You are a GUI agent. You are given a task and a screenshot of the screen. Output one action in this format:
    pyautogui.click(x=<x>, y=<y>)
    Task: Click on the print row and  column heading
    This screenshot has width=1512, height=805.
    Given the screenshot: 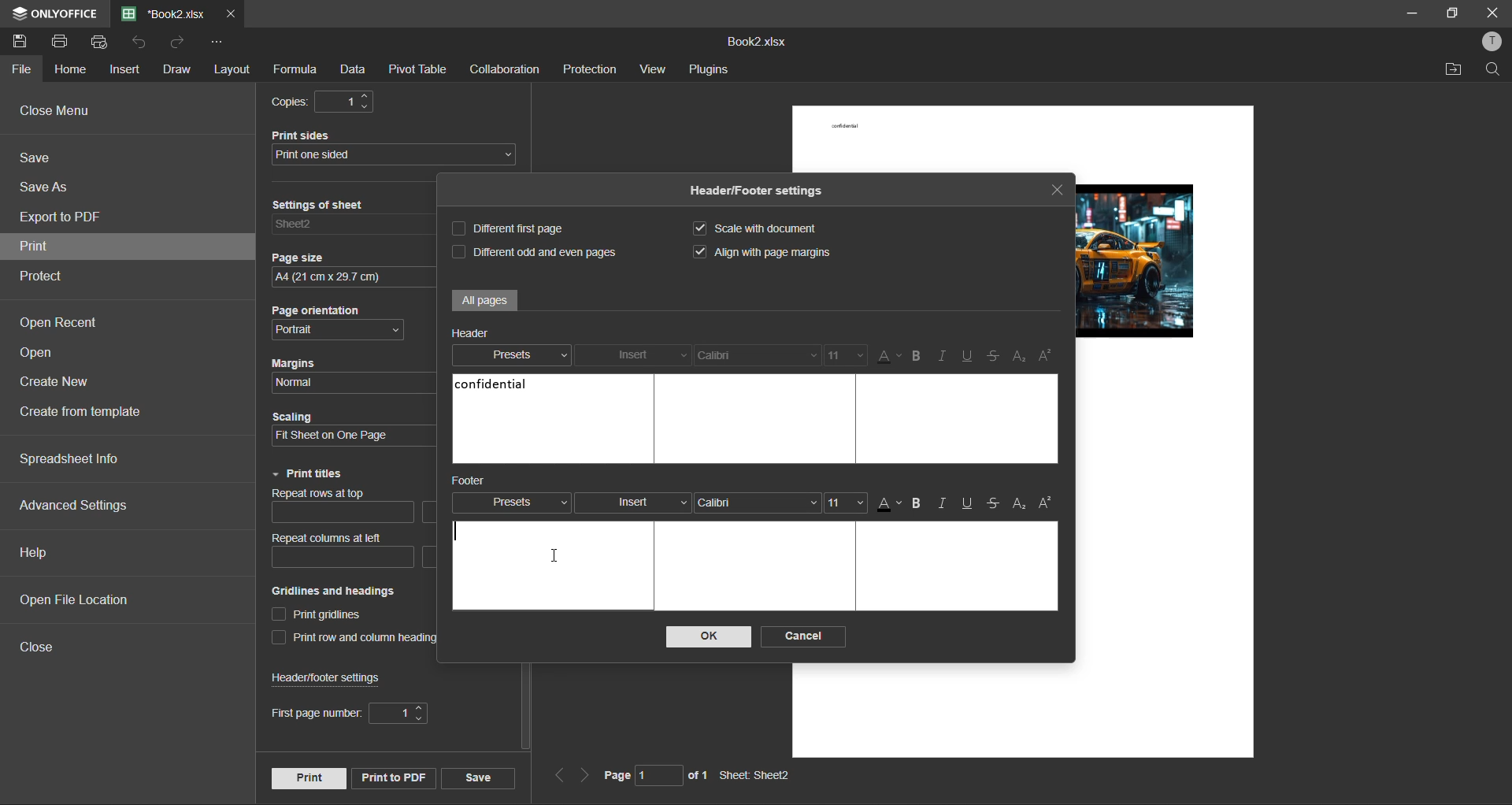 What is the action you would take?
    pyautogui.click(x=353, y=638)
    